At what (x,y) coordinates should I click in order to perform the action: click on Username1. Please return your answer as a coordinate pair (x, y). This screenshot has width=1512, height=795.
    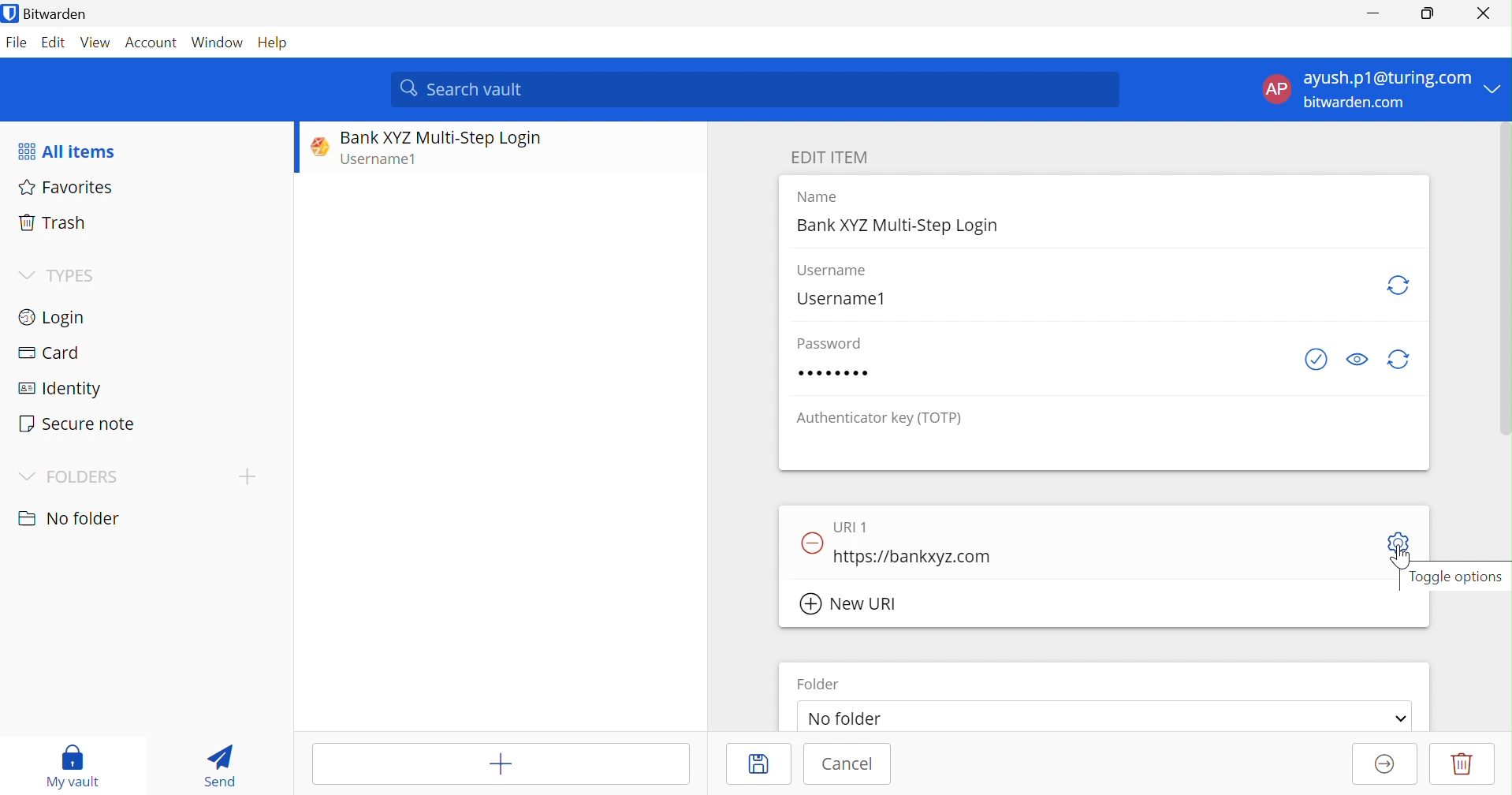
    Looking at the image, I should click on (840, 300).